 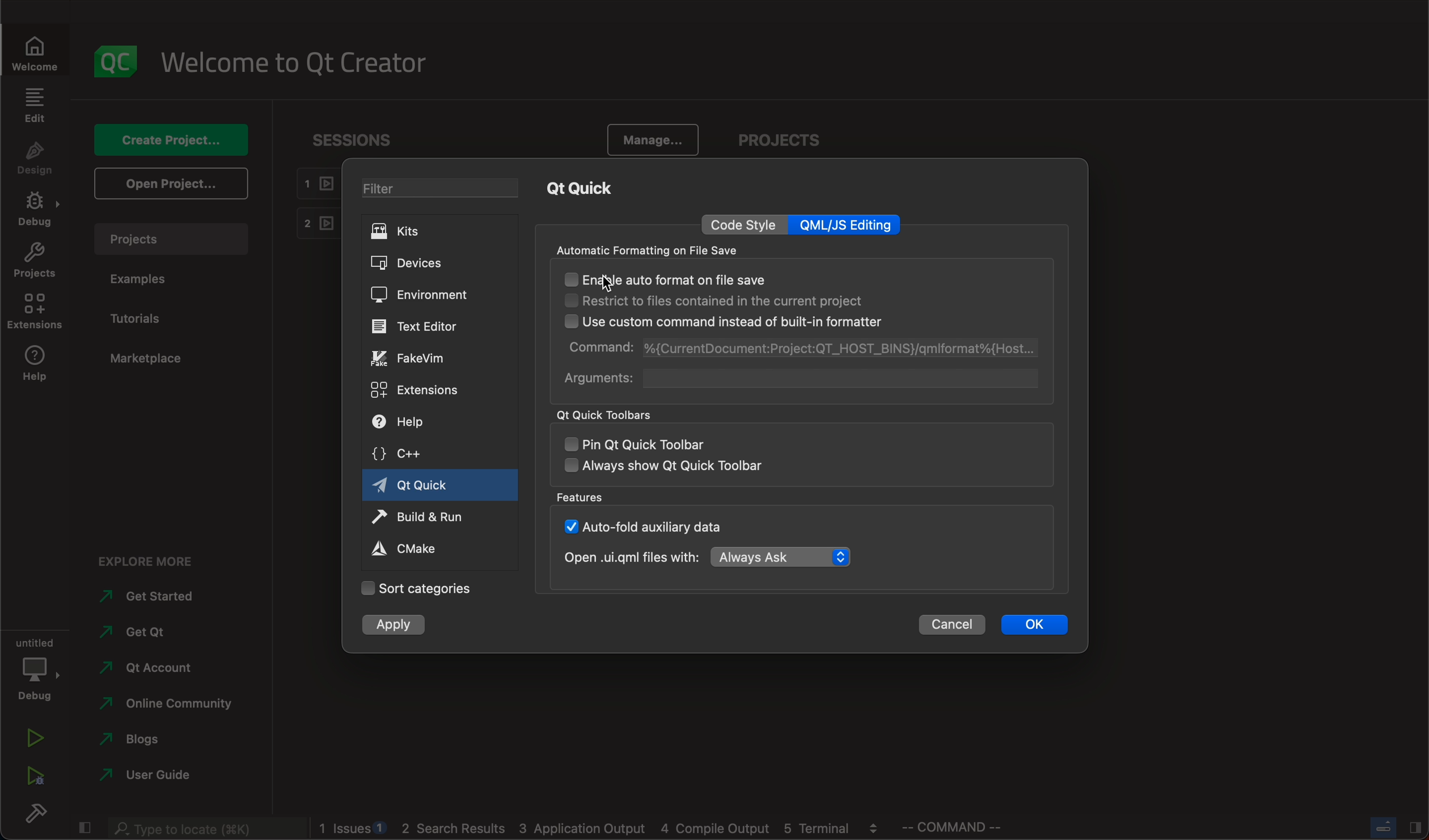 I want to click on environment, so click(x=434, y=299).